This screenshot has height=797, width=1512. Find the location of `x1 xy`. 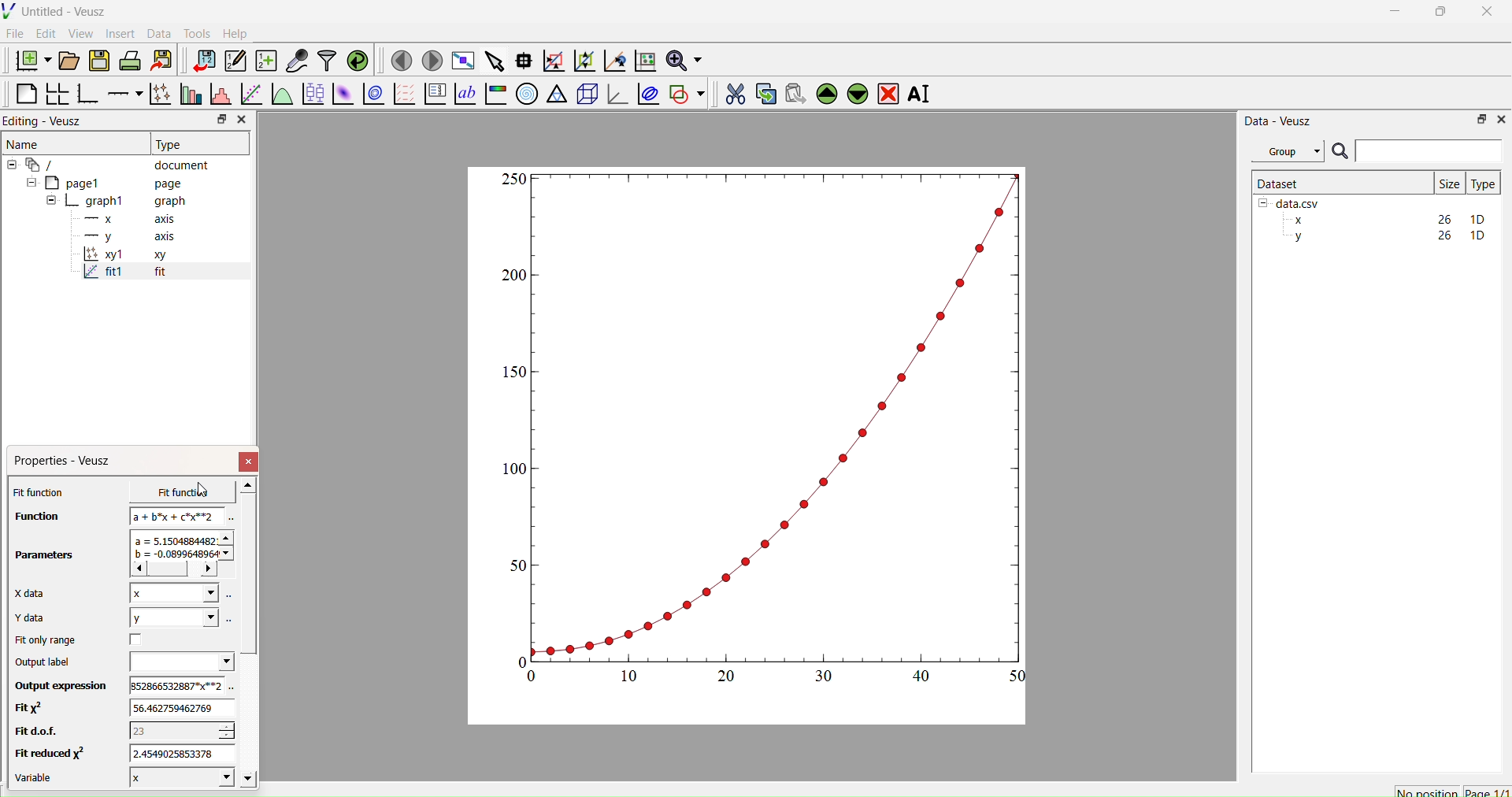

x1 xy is located at coordinates (124, 256).